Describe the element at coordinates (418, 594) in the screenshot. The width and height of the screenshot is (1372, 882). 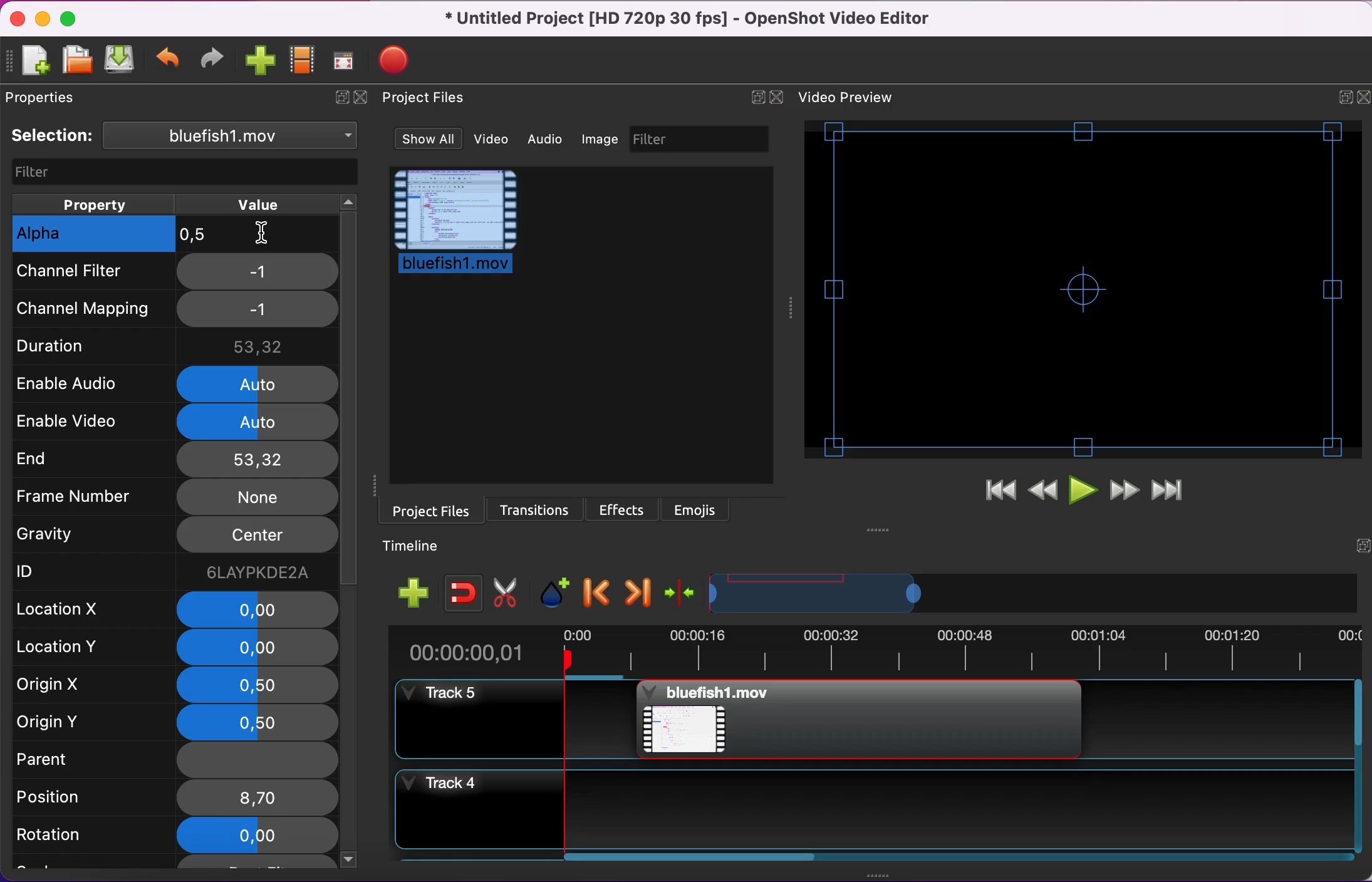
I see `add track` at that location.